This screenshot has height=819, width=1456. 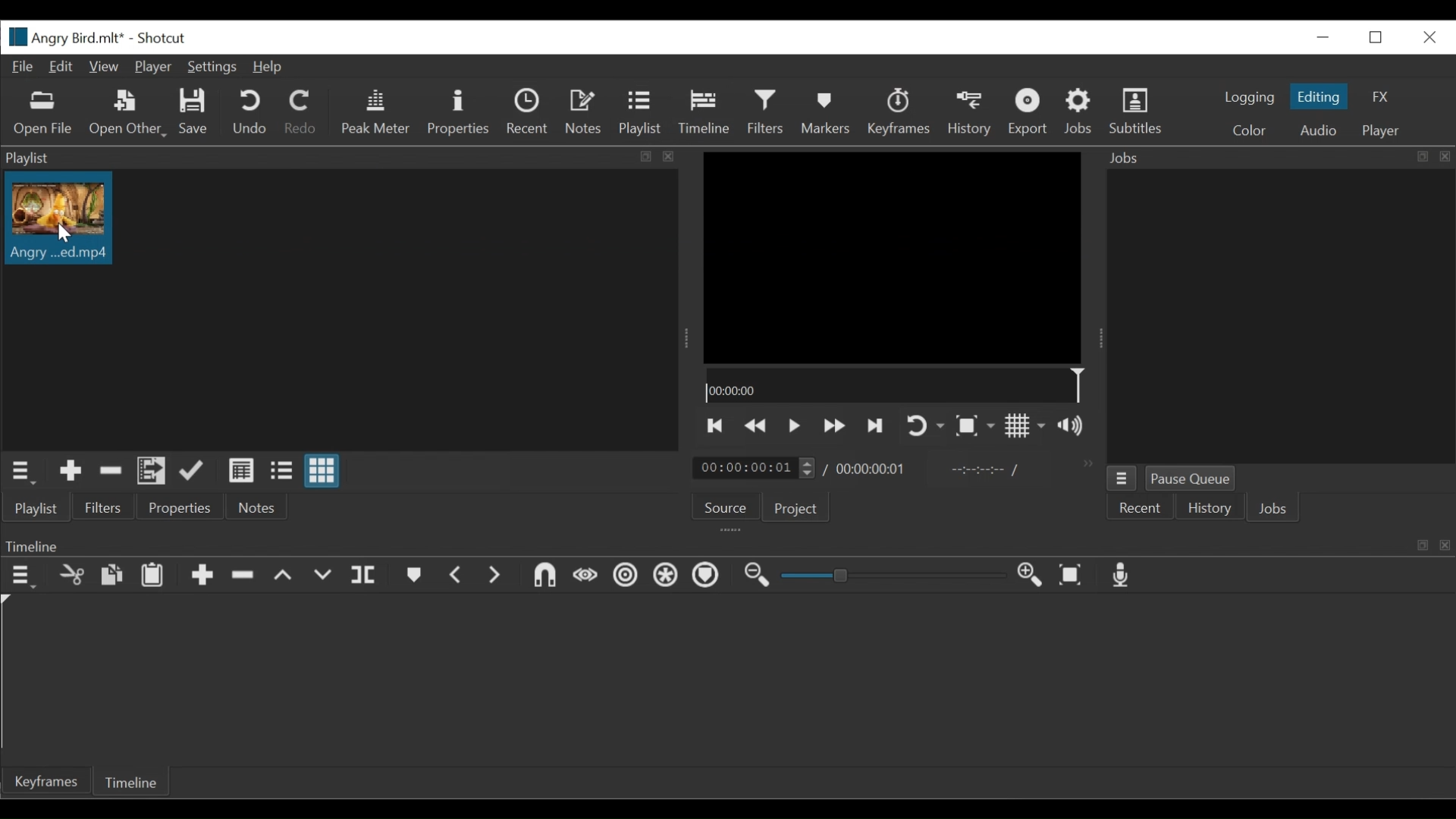 What do you see at coordinates (365, 576) in the screenshot?
I see `Split playhead` at bounding box center [365, 576].